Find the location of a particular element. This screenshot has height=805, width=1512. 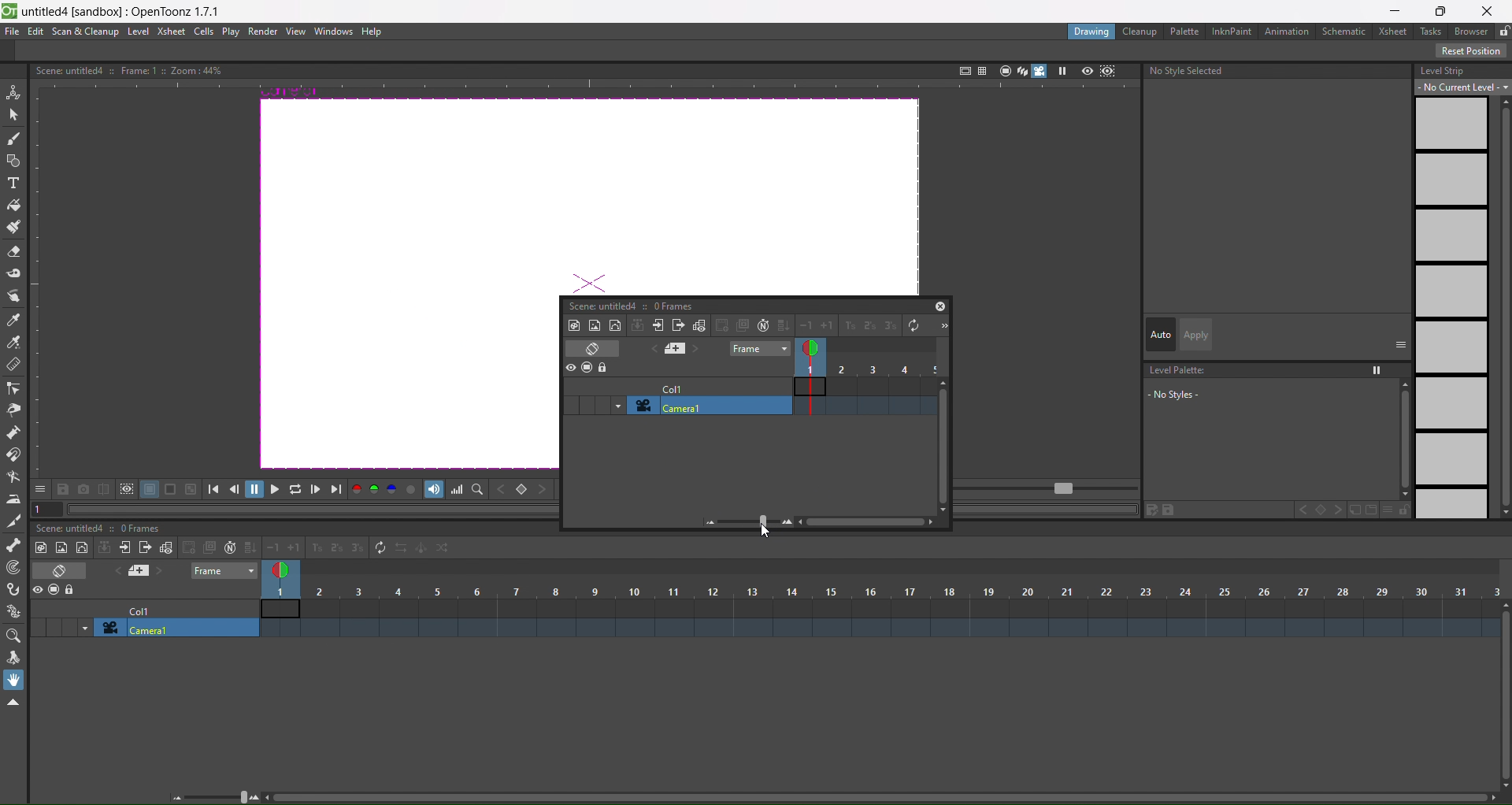

auto input cell number is located at coordinates (762, 325).